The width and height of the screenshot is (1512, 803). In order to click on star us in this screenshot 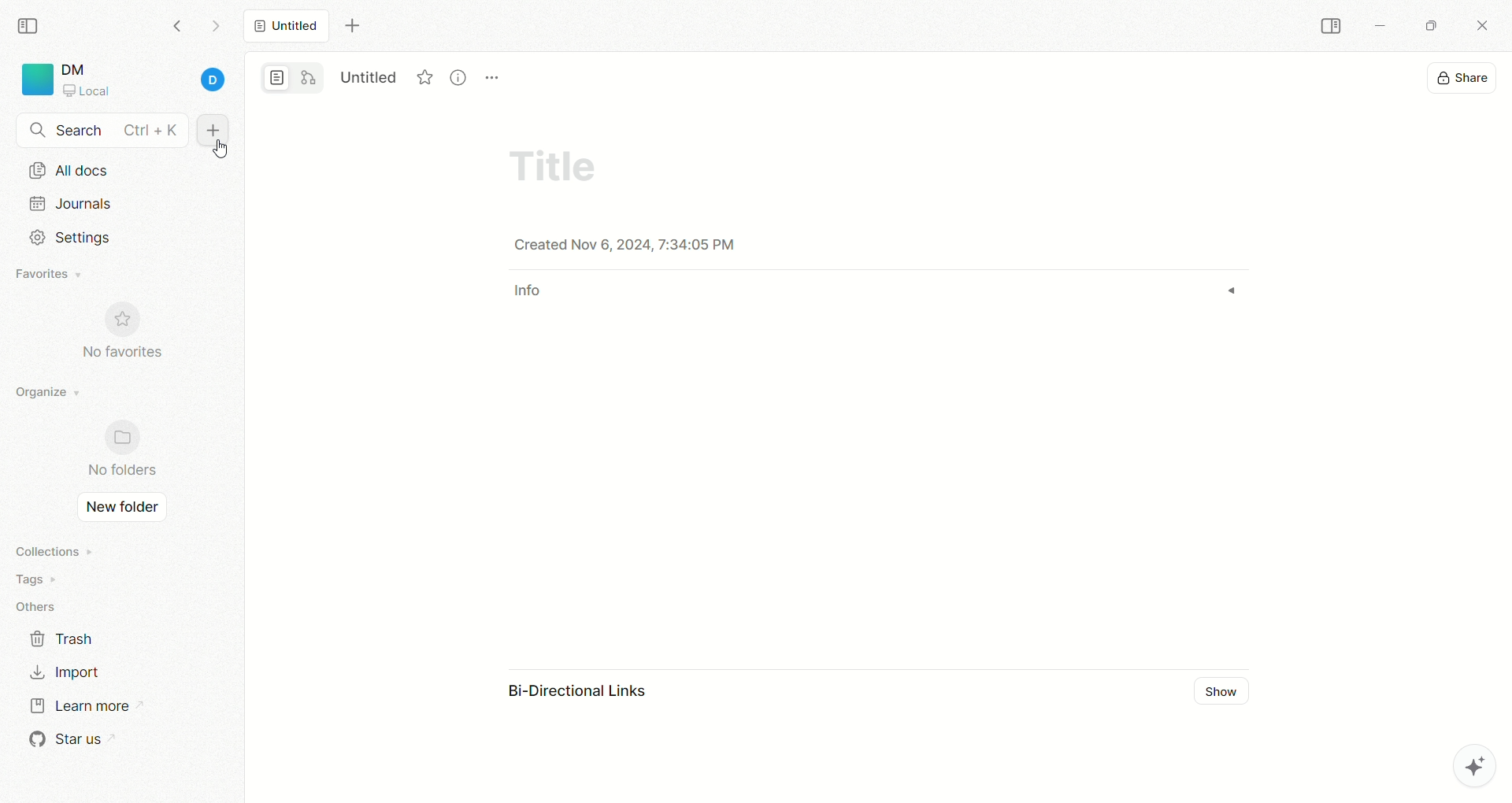, I will do `click(67, 739)`.